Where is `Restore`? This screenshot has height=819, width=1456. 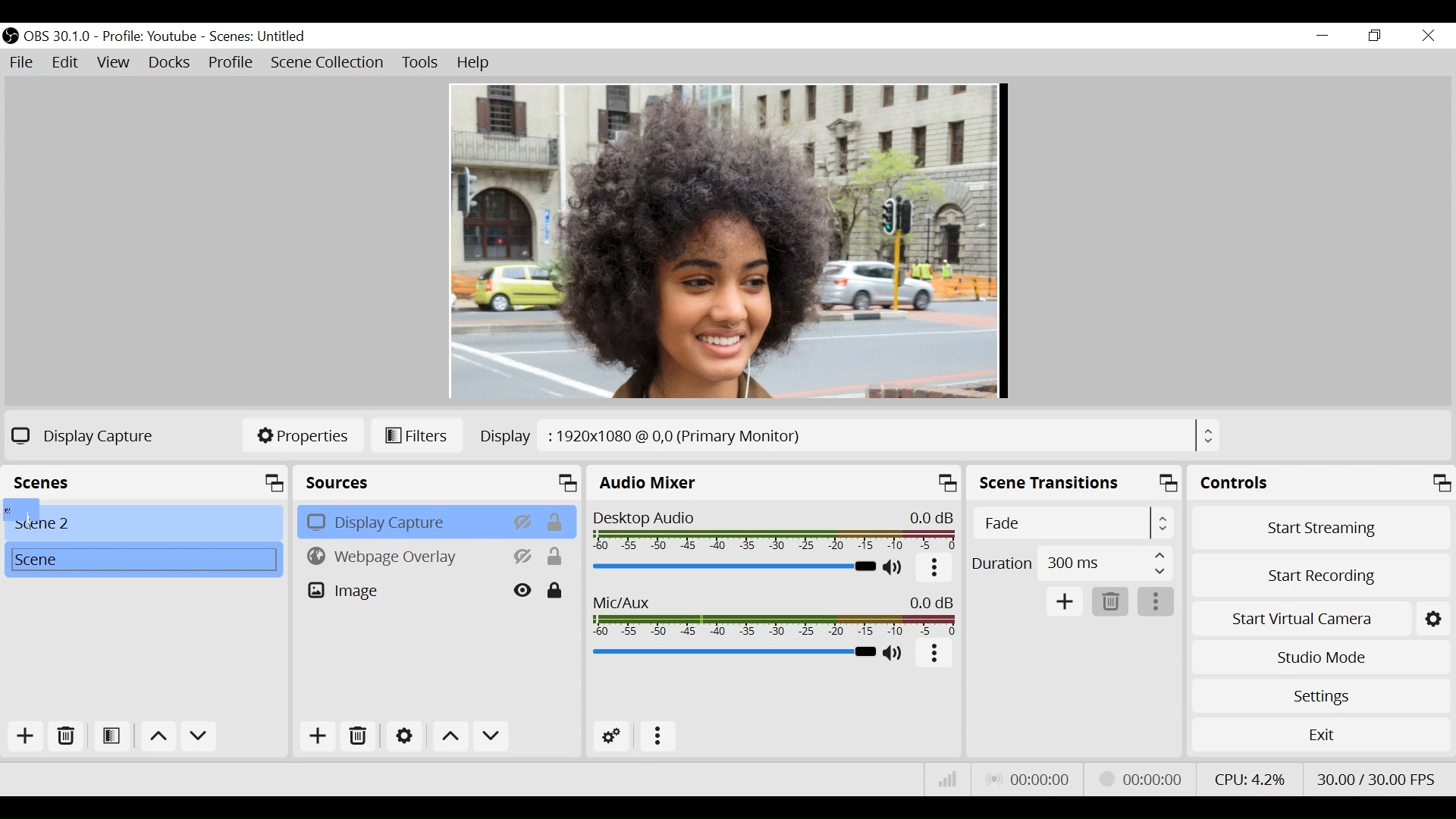
Restore is located at coordinates (1375, 36).